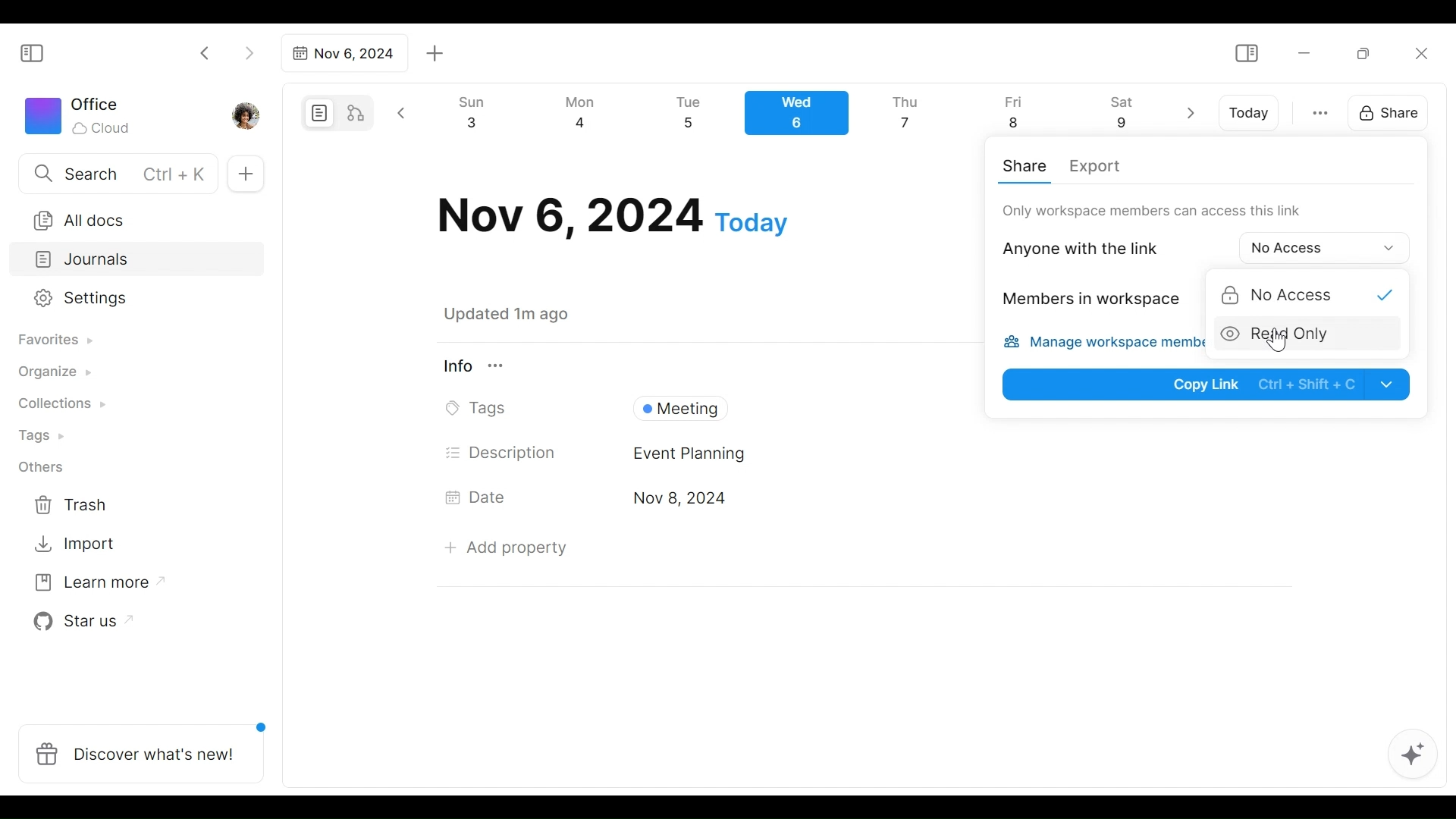 This screenshot has width=1456, height=819. Describe the element at coordinates (1304, 295) in the screenshot. I see `No Acces` at that location.